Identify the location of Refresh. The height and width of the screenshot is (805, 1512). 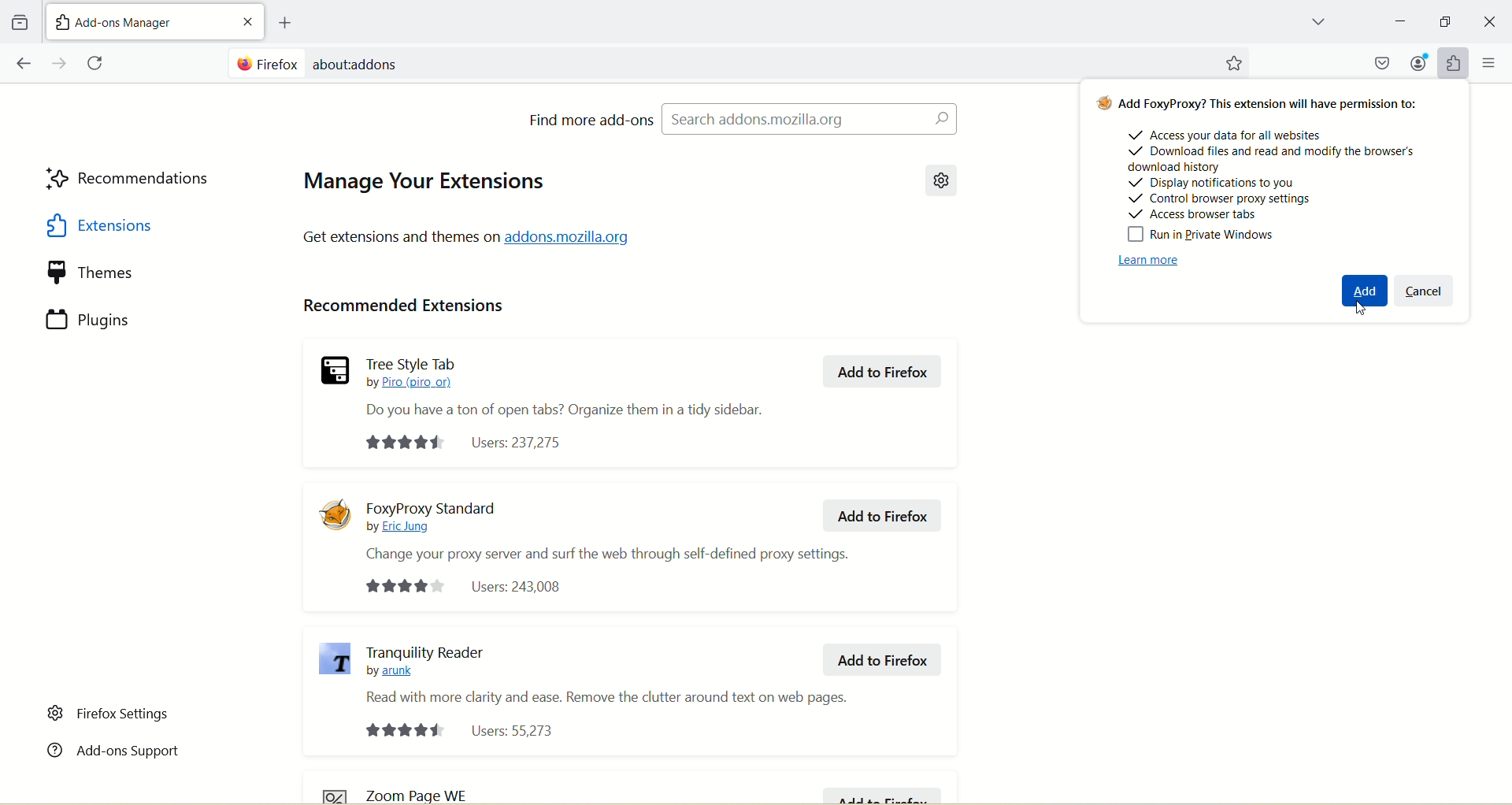
(98, 64).